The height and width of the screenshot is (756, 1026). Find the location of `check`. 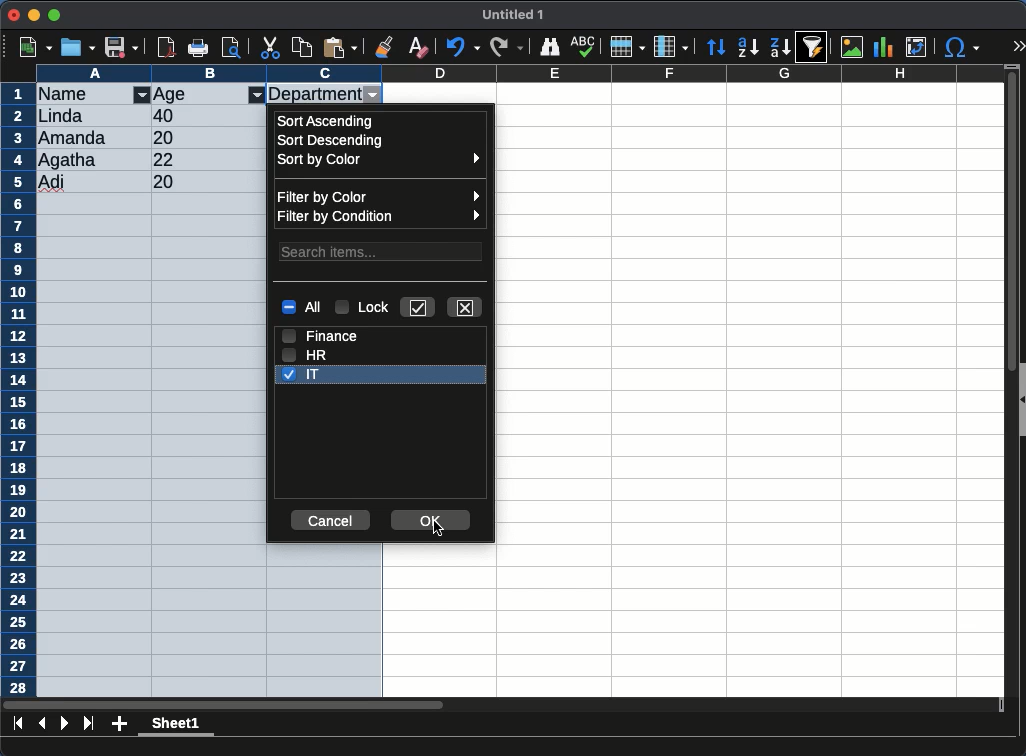

check is located at coordinates (419, 307).